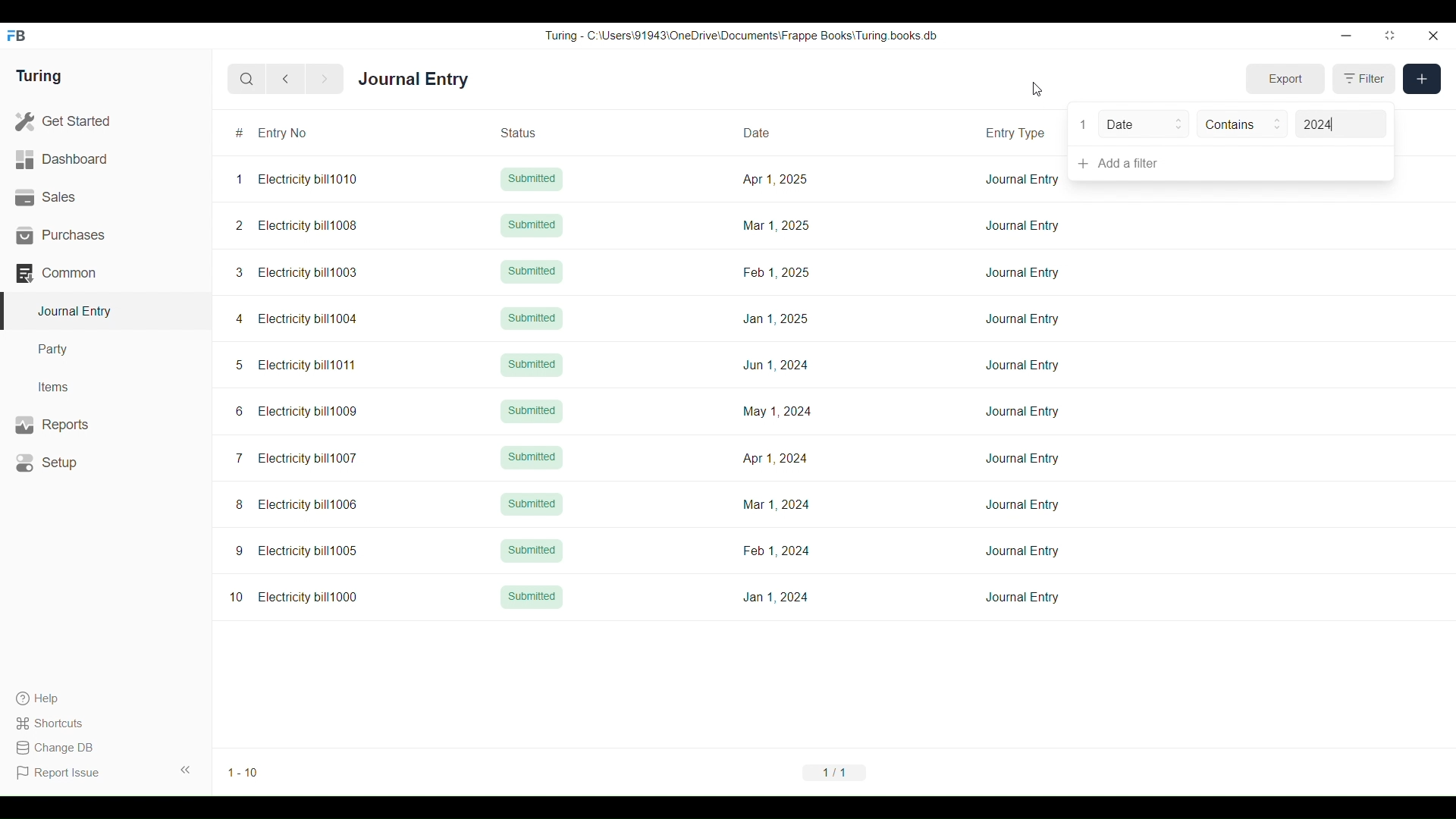 This screenshot has width=1456, height=819. I want to click on Filter, so click(1364, 79).